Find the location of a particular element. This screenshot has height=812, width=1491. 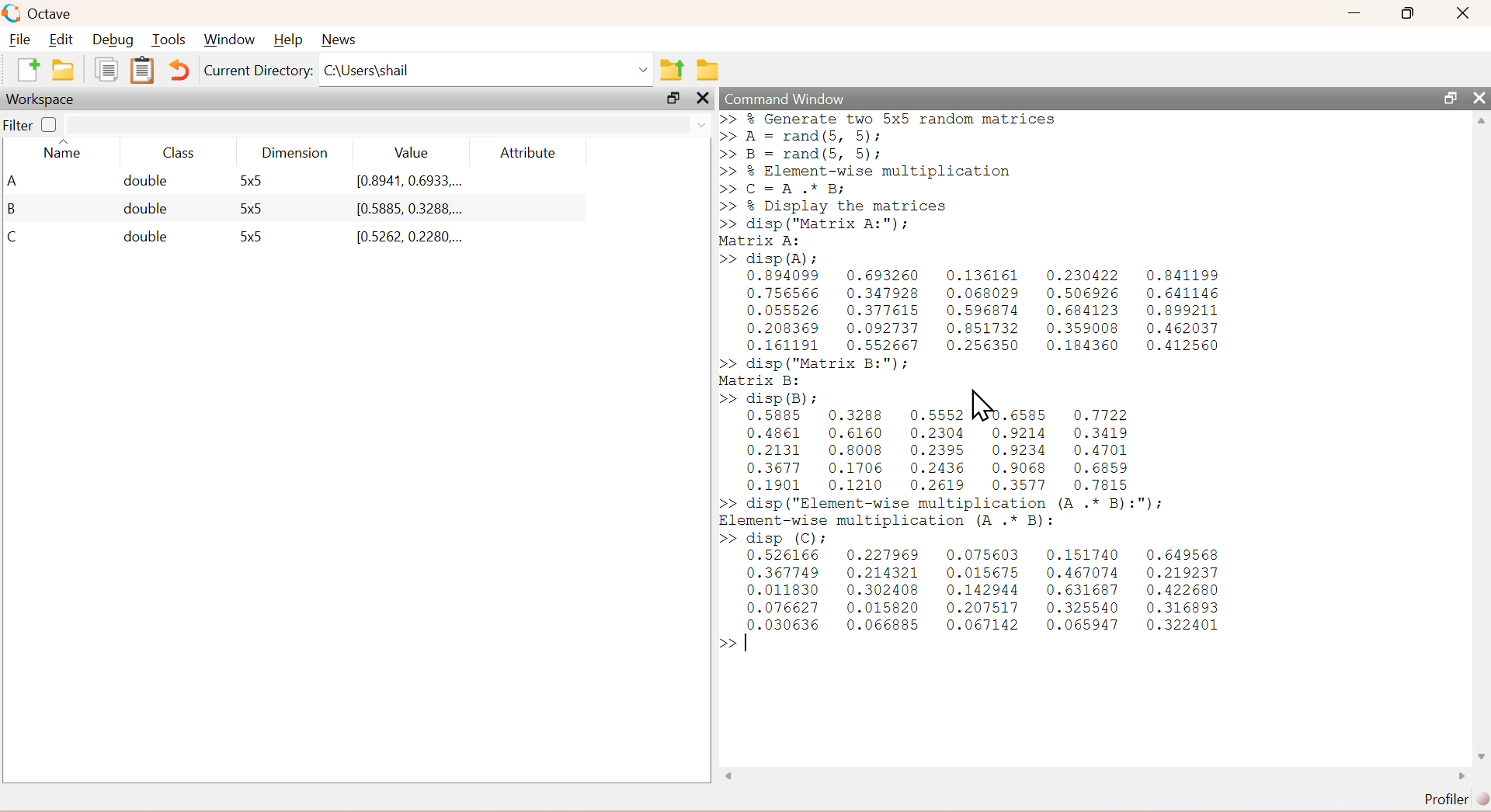

Current Directory: is located at coordinates (257, 75).